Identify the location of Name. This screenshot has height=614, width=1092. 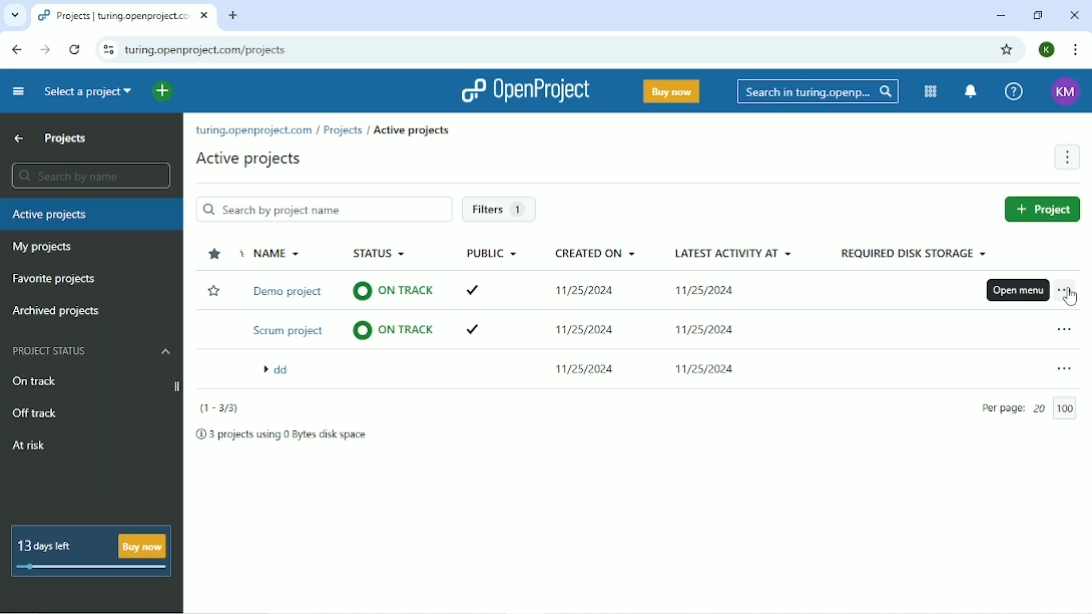
(273, 254).